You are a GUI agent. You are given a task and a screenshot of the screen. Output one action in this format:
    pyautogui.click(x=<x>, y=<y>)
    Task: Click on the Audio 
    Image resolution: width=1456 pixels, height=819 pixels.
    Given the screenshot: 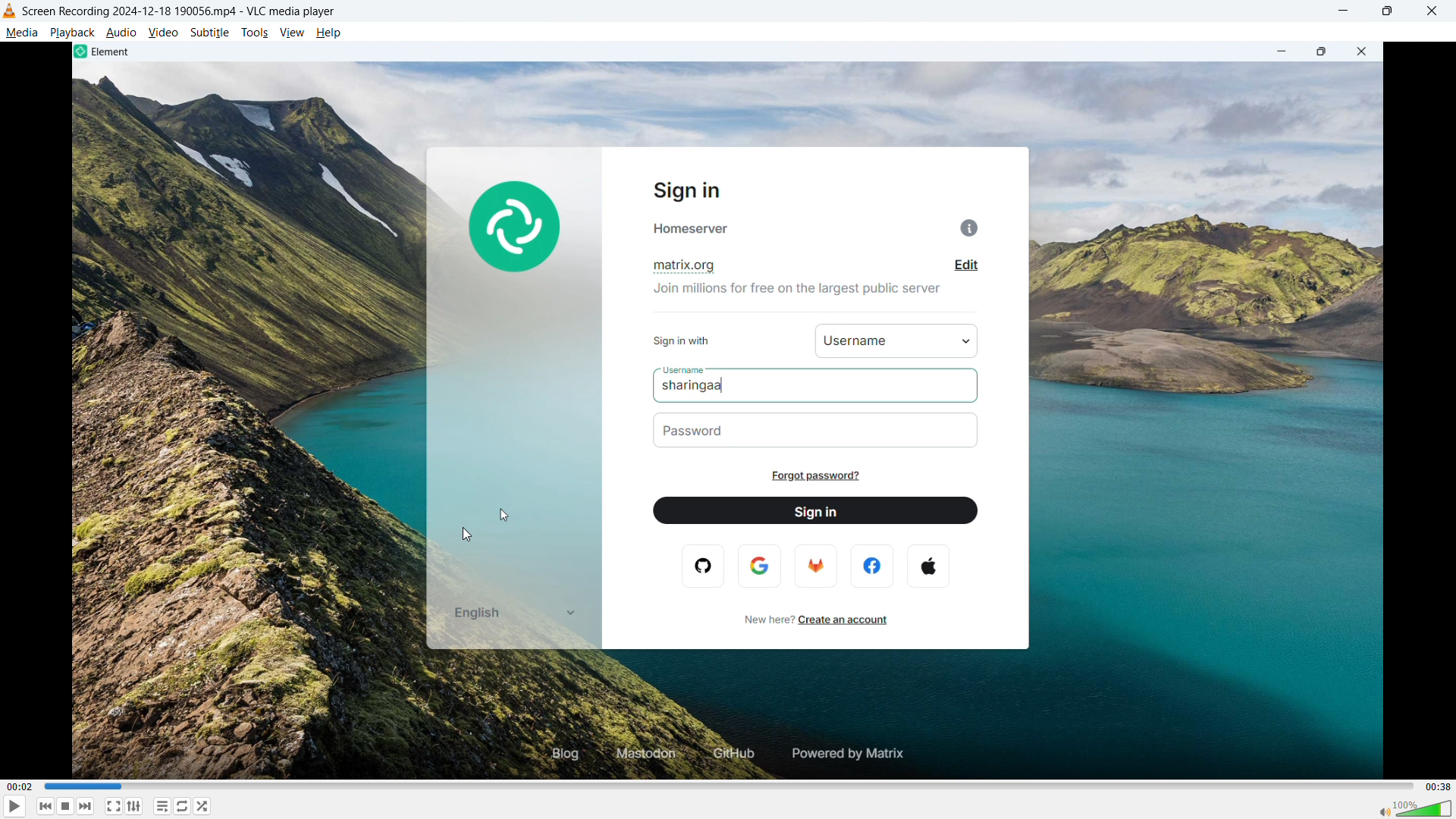 What is the action you would take?
    pyautogui.click(x=121, y=33)
    